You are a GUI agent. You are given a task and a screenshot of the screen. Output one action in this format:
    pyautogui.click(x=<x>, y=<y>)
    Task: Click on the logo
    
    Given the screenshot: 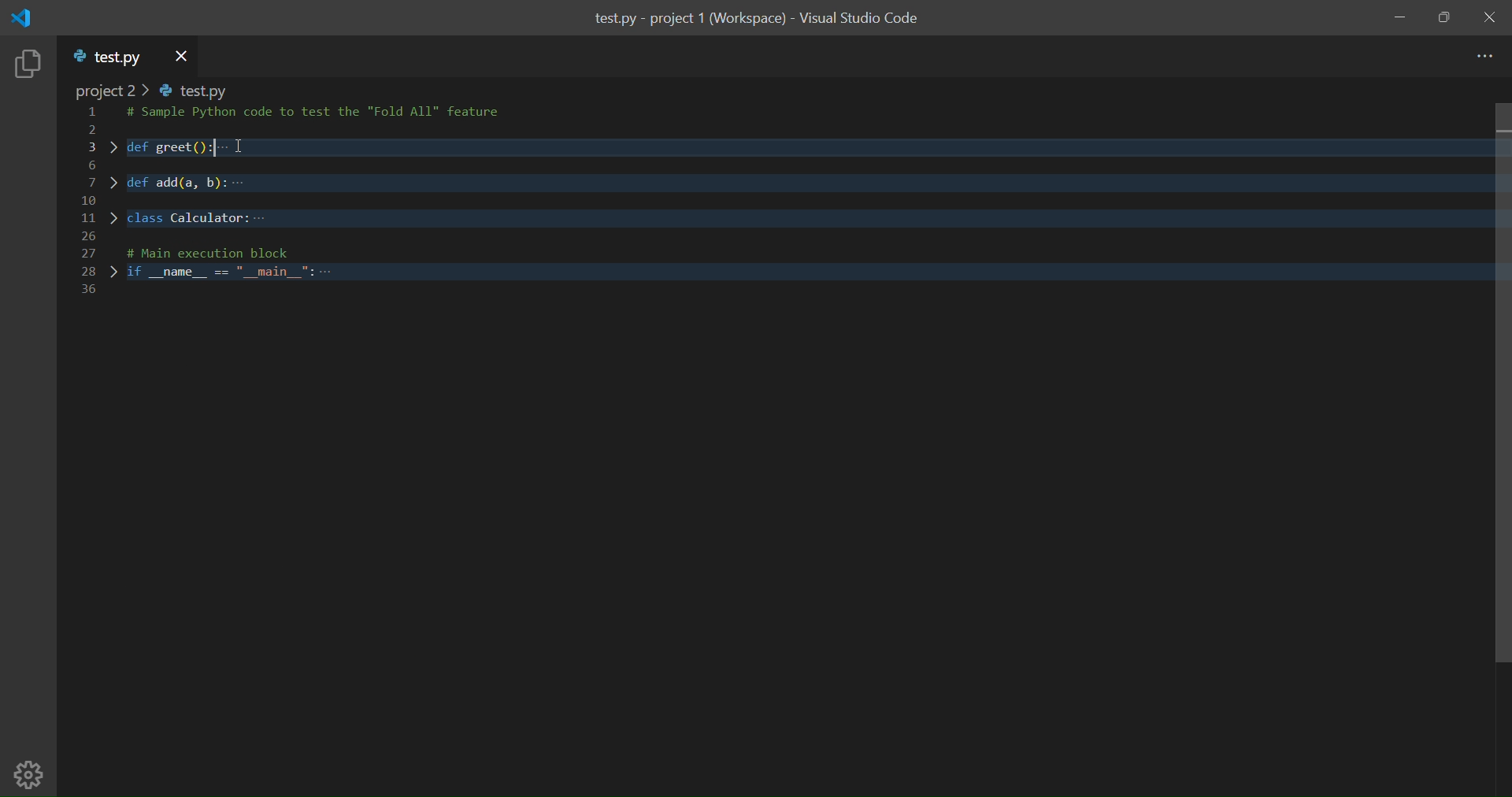 What is the action you would take?
    pyautogui.click(x=27, y=18)
    